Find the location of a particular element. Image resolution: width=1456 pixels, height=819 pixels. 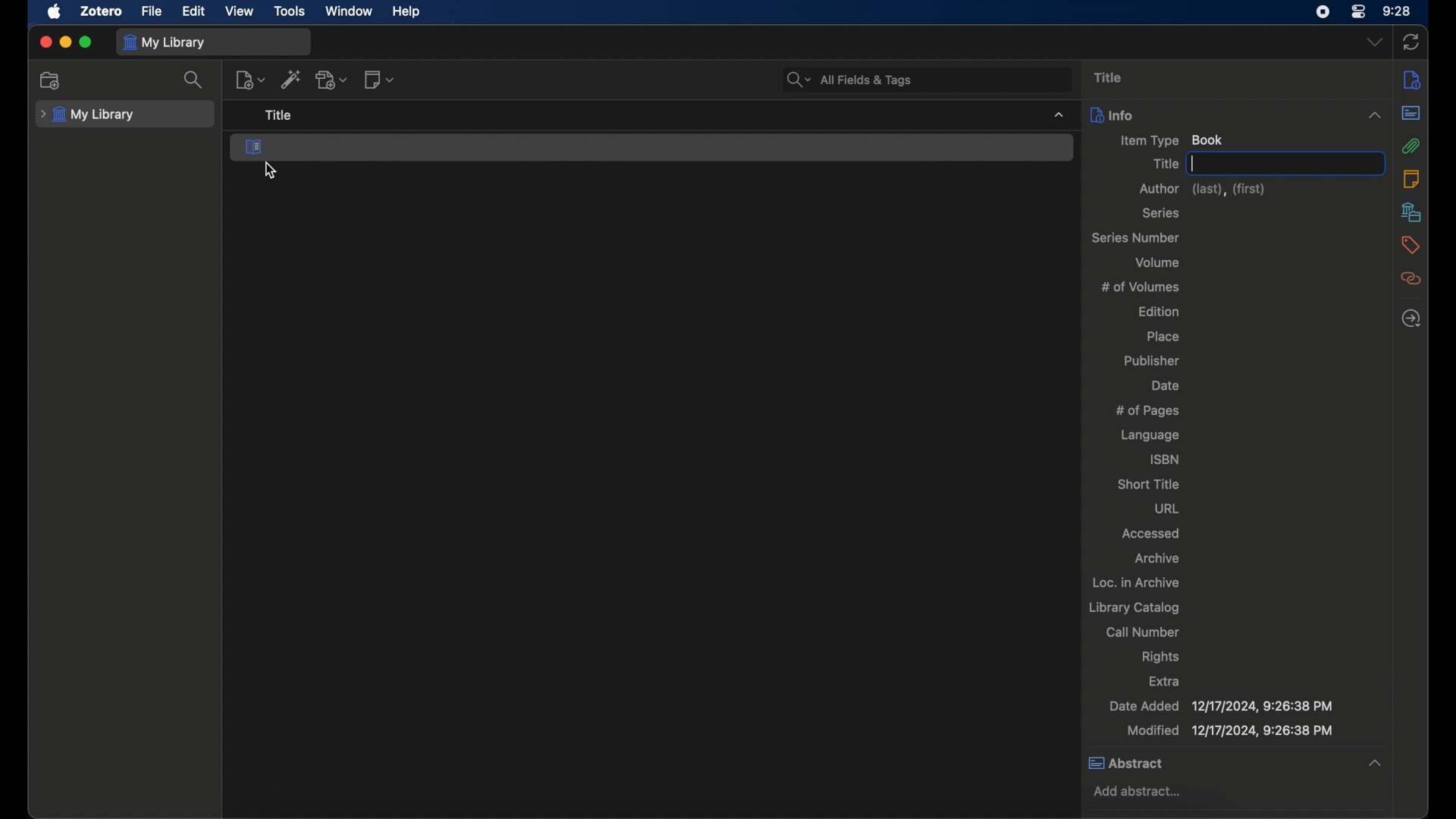

new note is located at coordinates (379, 80).